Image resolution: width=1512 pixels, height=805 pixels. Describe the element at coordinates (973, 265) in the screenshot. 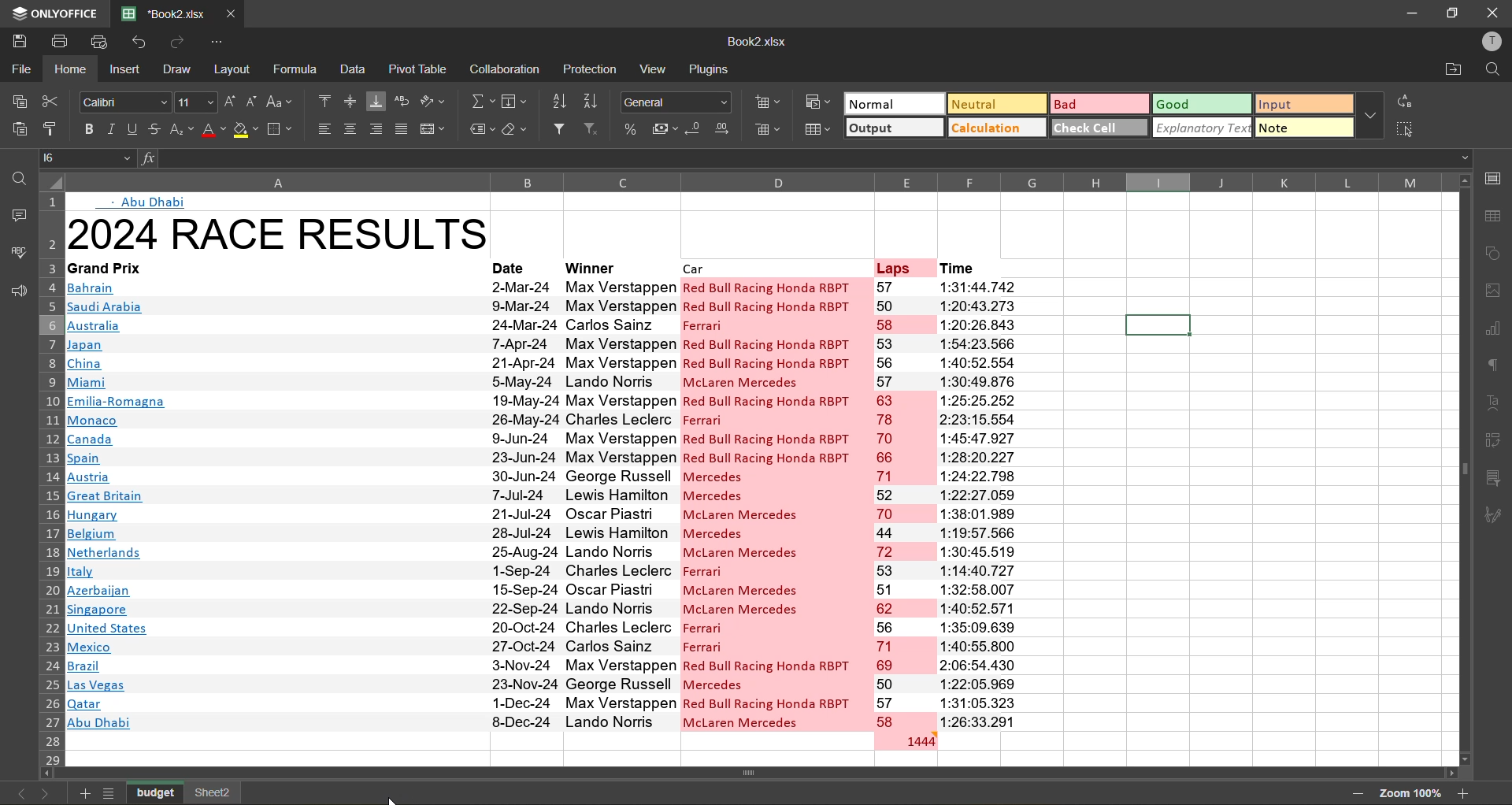

I see `time` at that location.